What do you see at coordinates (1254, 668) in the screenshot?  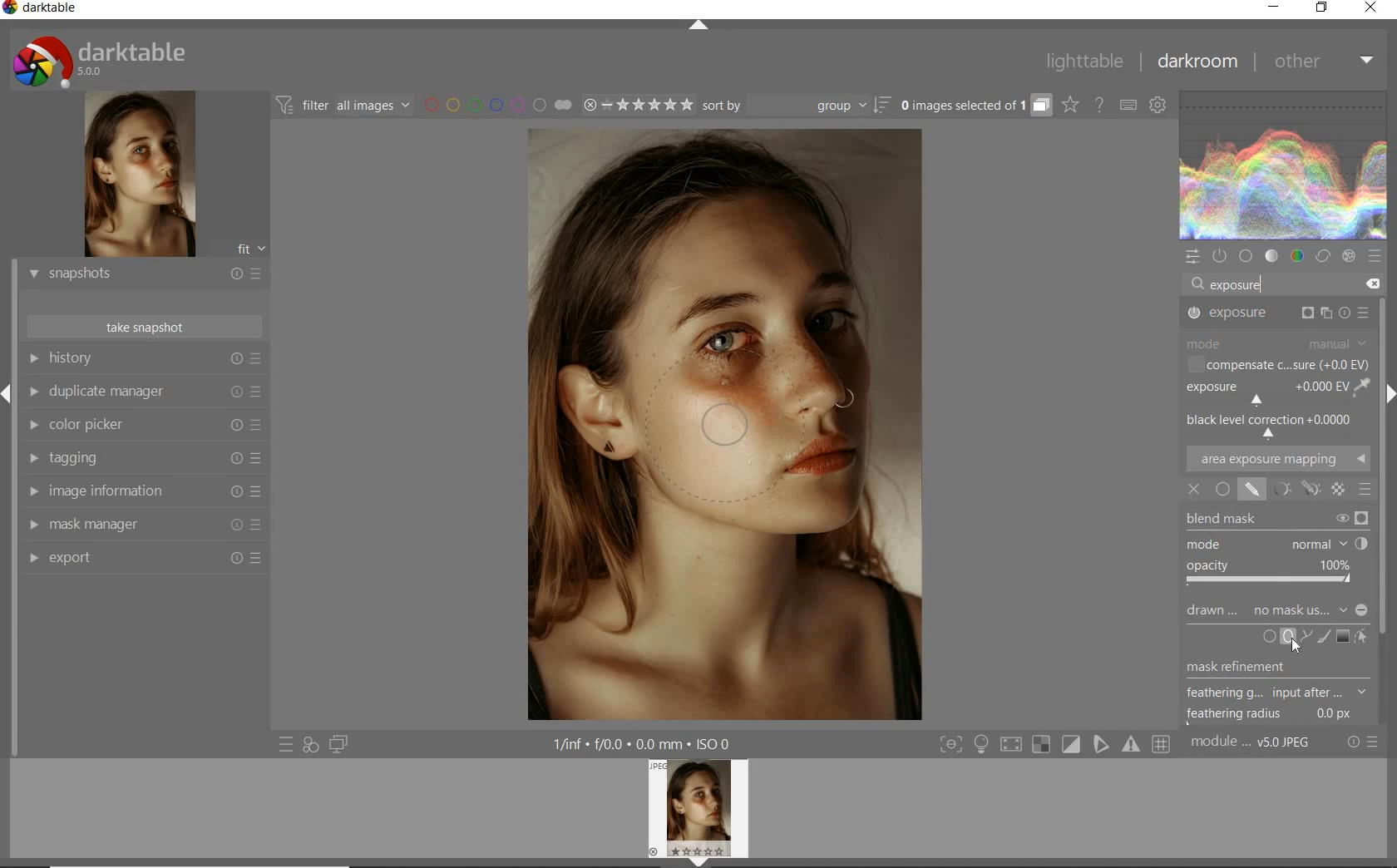 I see `MASK REFINEMENT` at bounding box center [1254, 668].